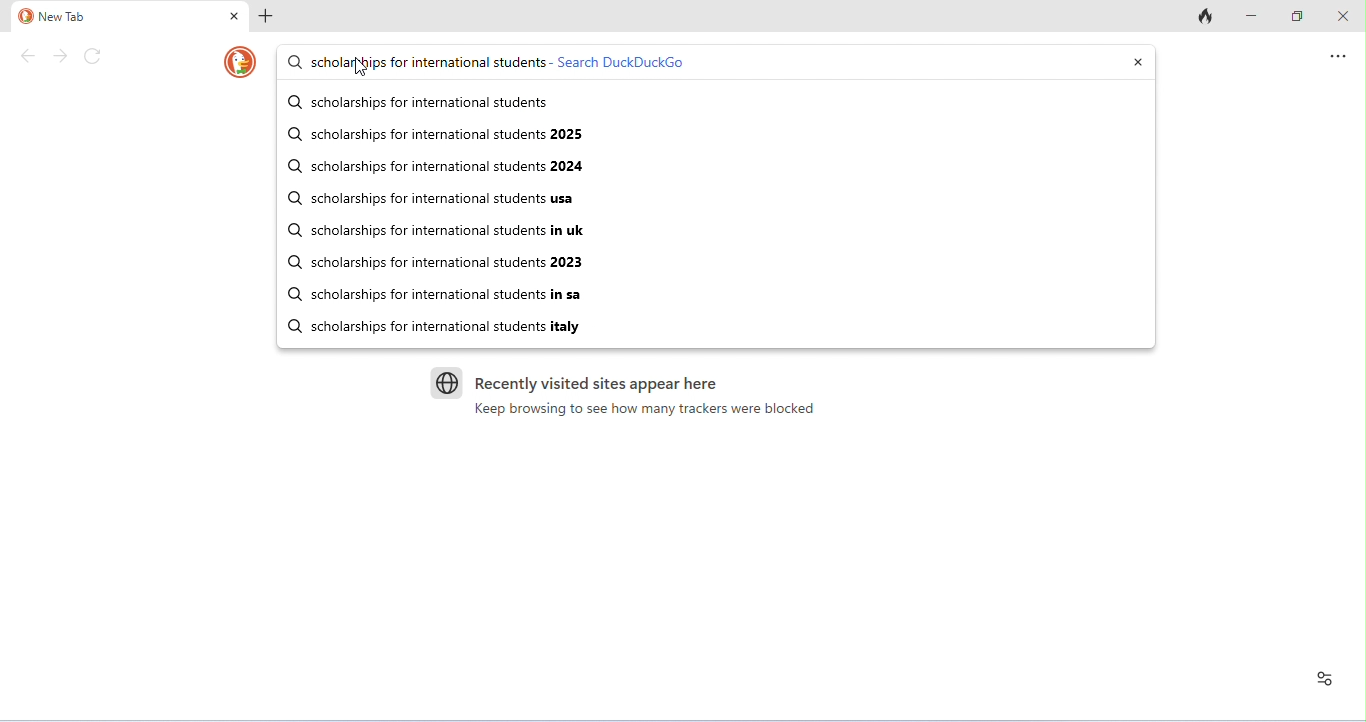 This screenshot has width=1366, height=722. Describe the element at coordinates (236, 17) in the screenshot. I see `close` at that location.